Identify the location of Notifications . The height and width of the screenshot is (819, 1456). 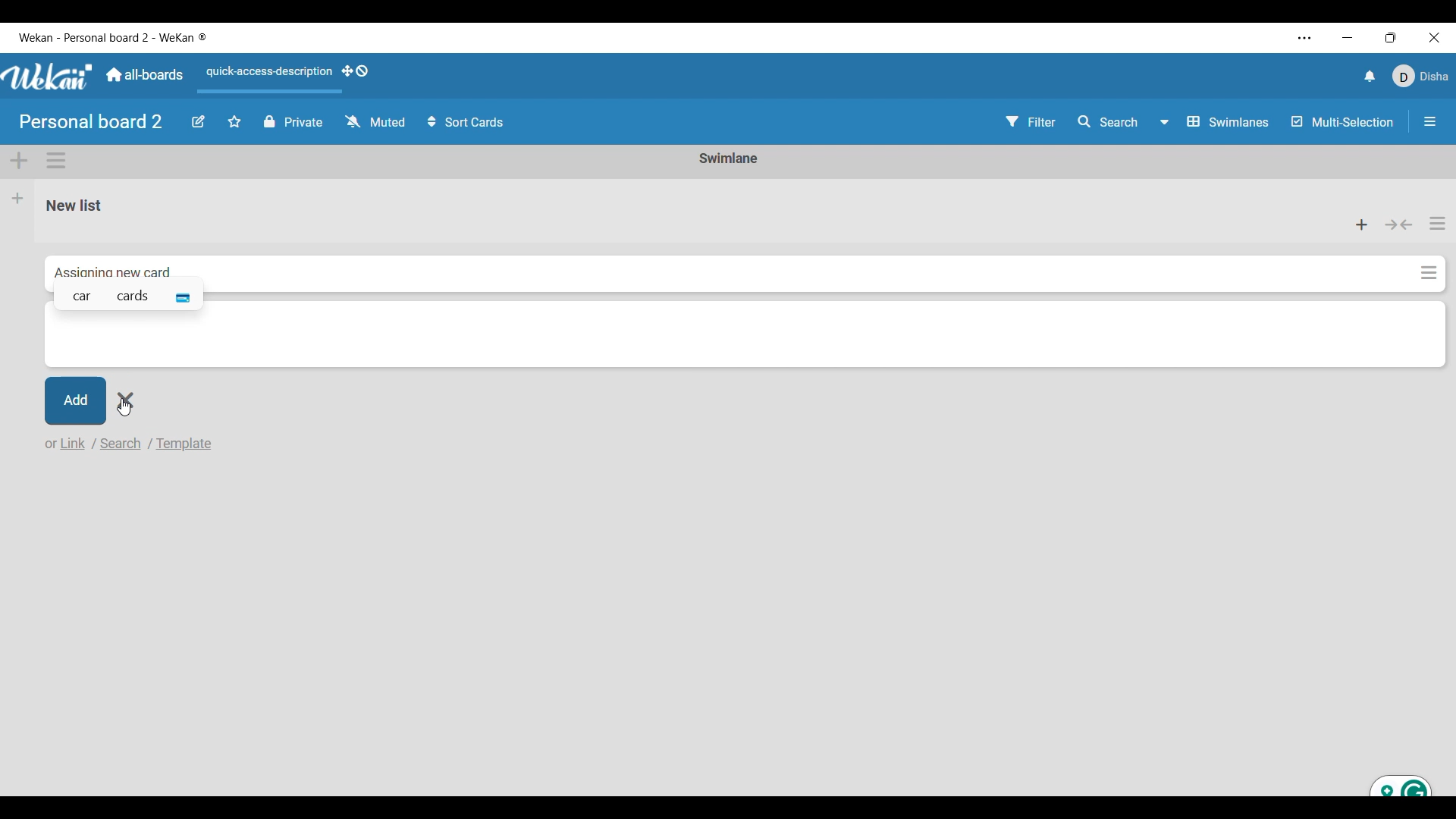
(1370, 76).